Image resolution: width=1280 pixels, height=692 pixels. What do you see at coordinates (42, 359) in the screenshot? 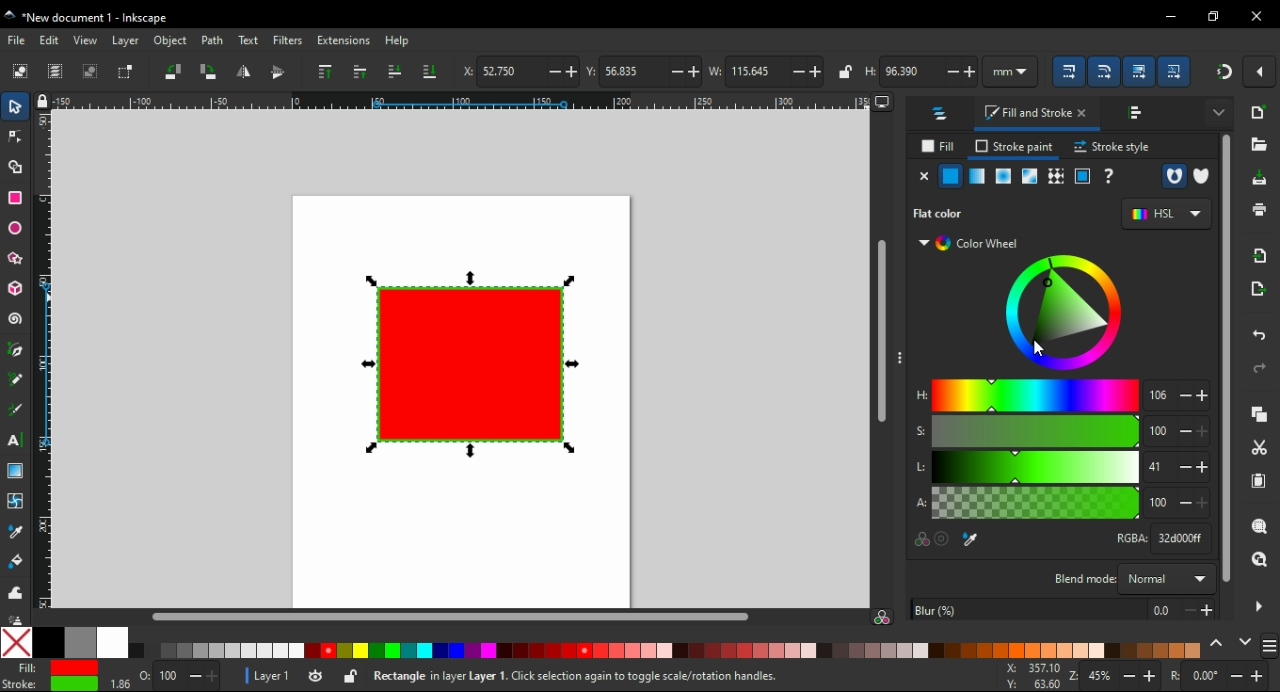
I see `ruler` at bounding box center [42, 359].